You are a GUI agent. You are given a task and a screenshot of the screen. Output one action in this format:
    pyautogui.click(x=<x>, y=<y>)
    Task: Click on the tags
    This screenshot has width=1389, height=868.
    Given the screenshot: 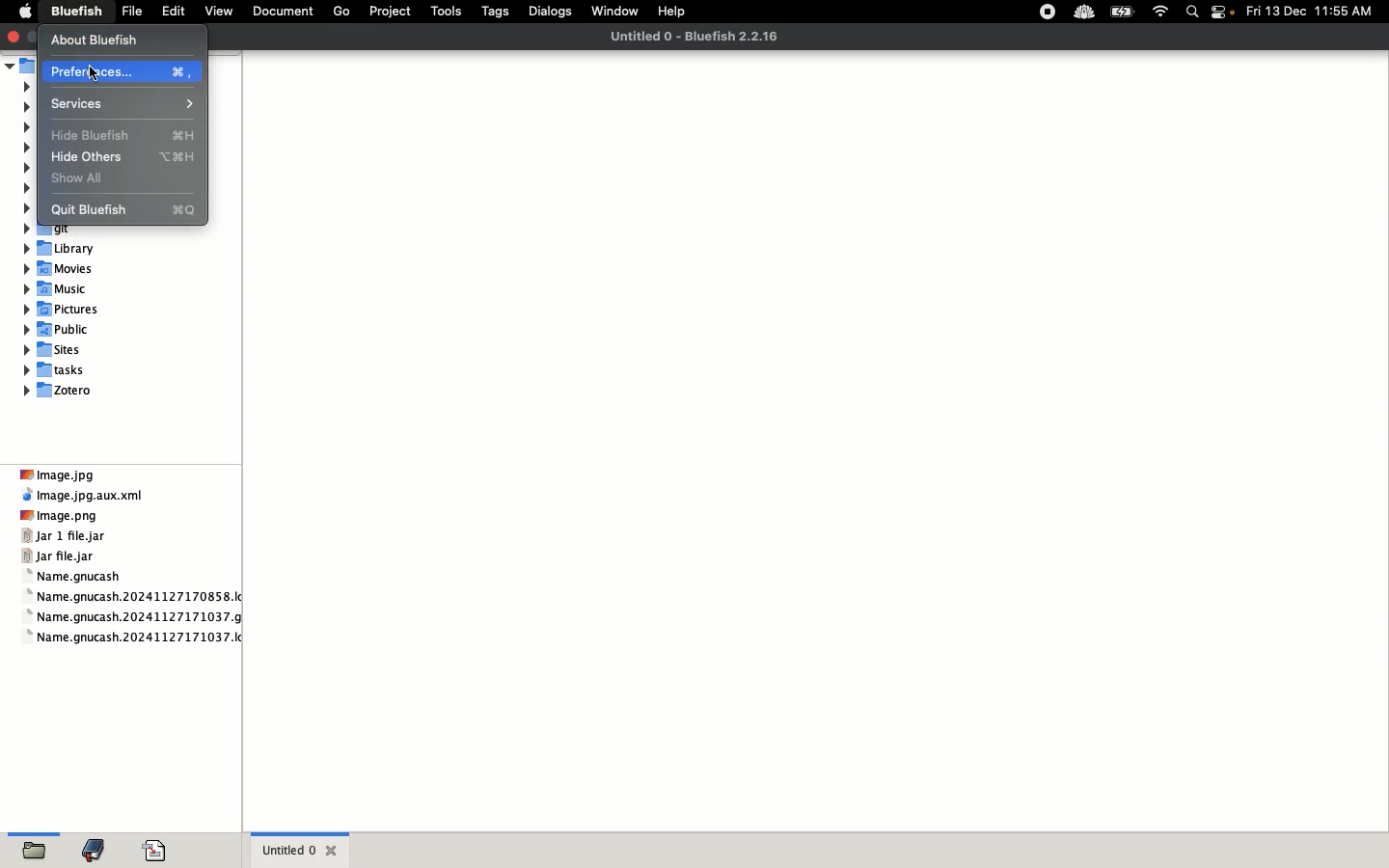 What is the action you would take?
    pyautogui.click(x=497, y=14)
    